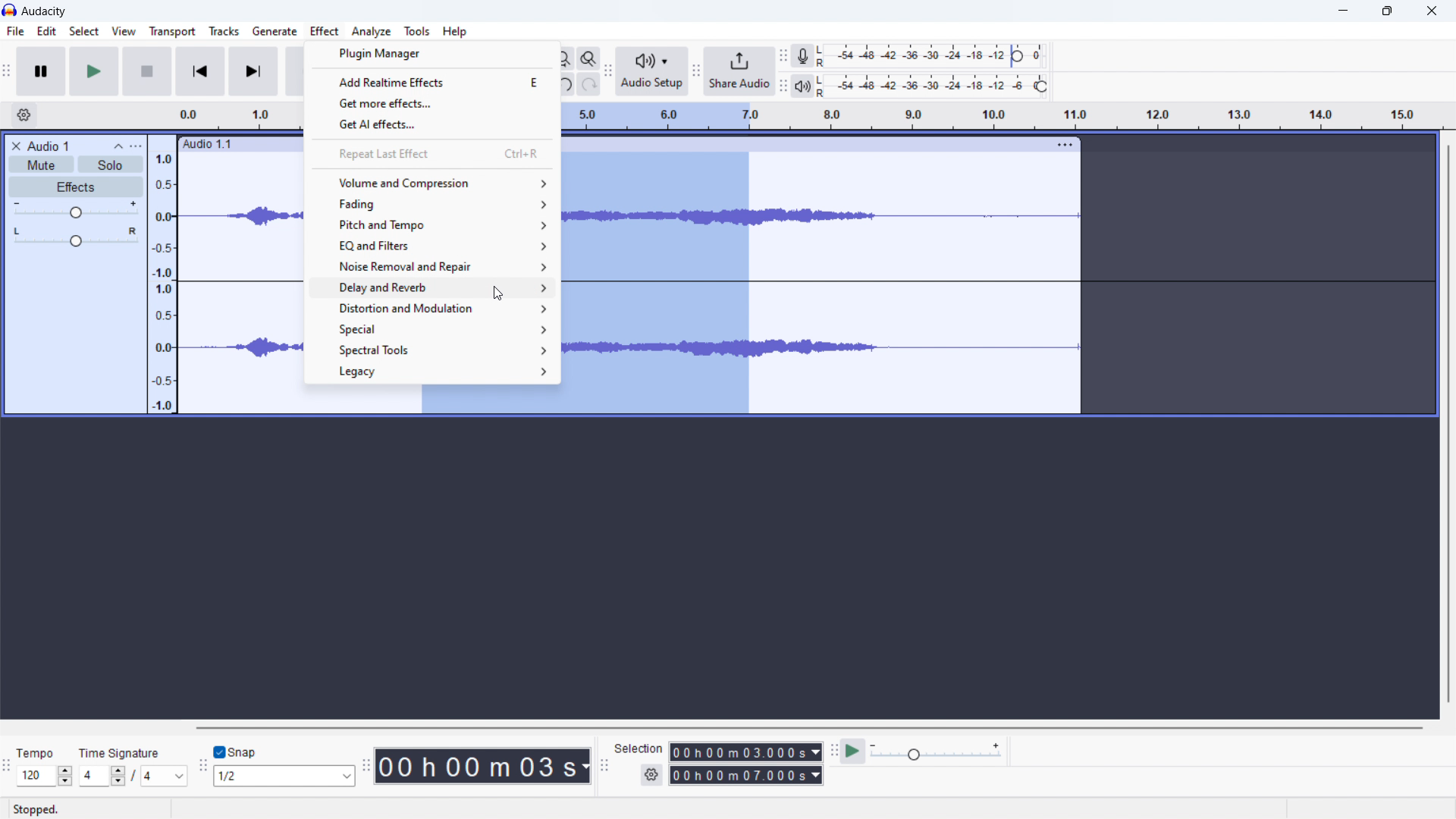  What do you see at coordinates (366, 770) in the screenshot?
I see `time toolbar` at bounding box center [366, 770].